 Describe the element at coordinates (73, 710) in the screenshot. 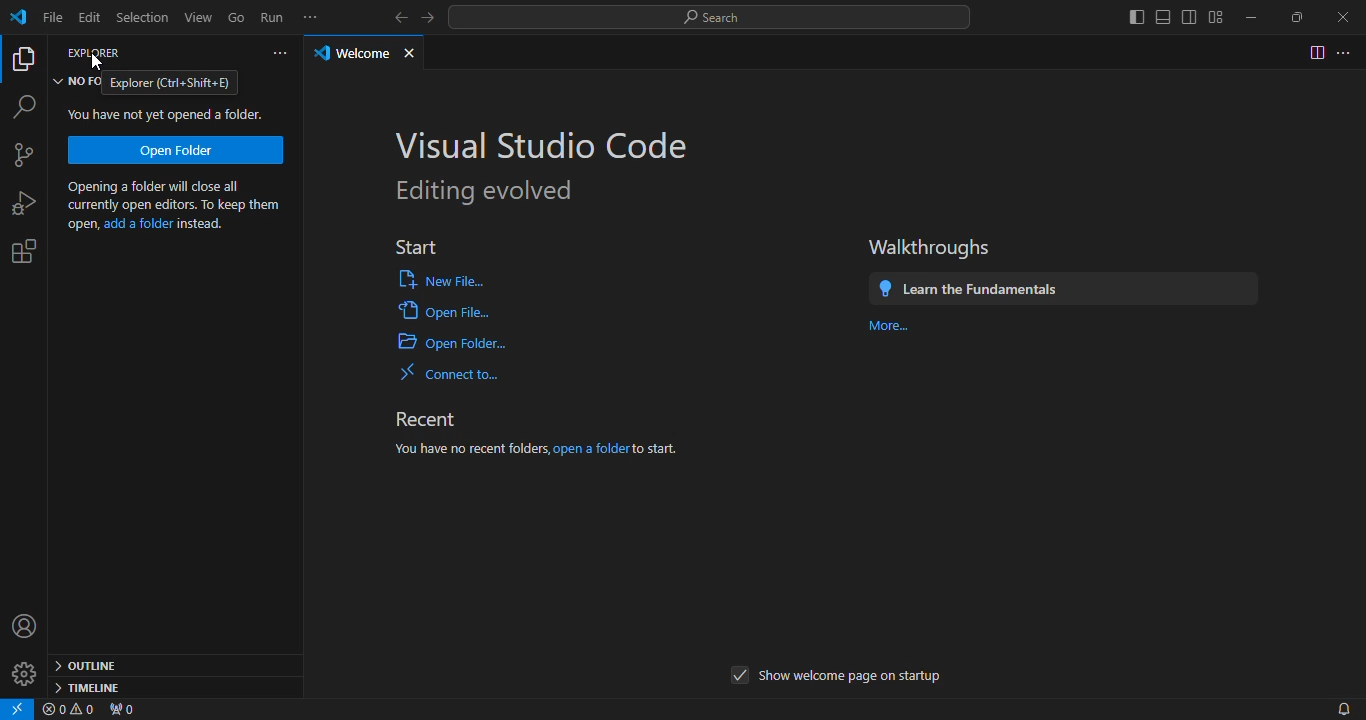

I see `warnings` at that location.